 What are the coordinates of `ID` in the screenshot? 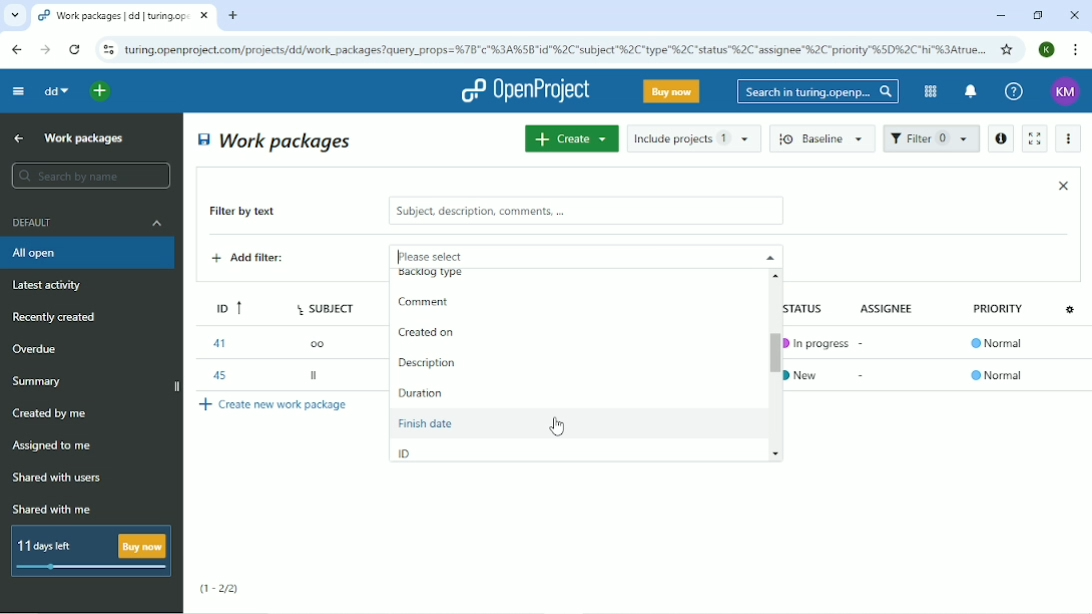 It's located at (405, 452).